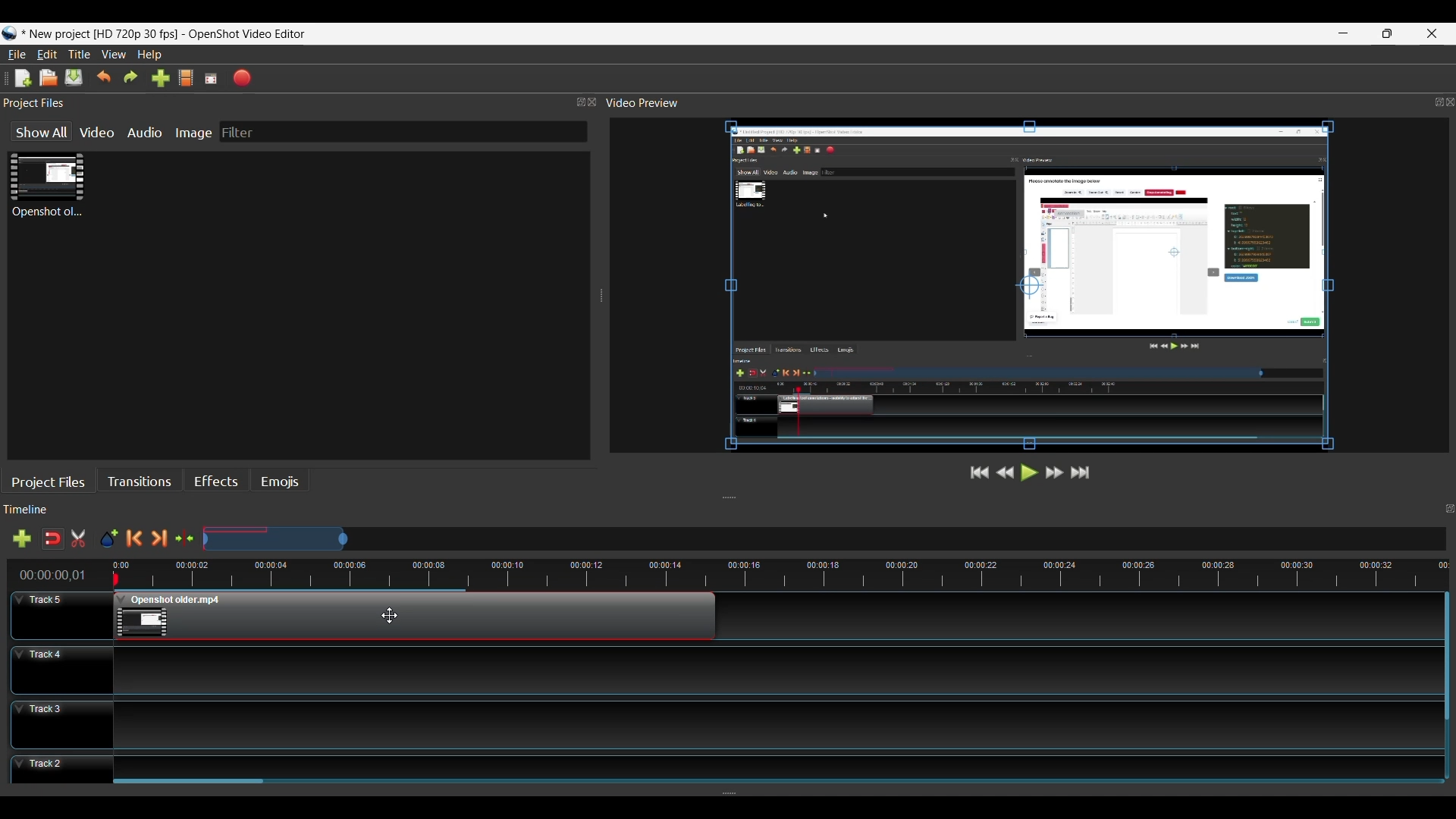 Image resolution: width=1456 pixels, height=819 pixels. I want to click on Play, so click(1030, 472).